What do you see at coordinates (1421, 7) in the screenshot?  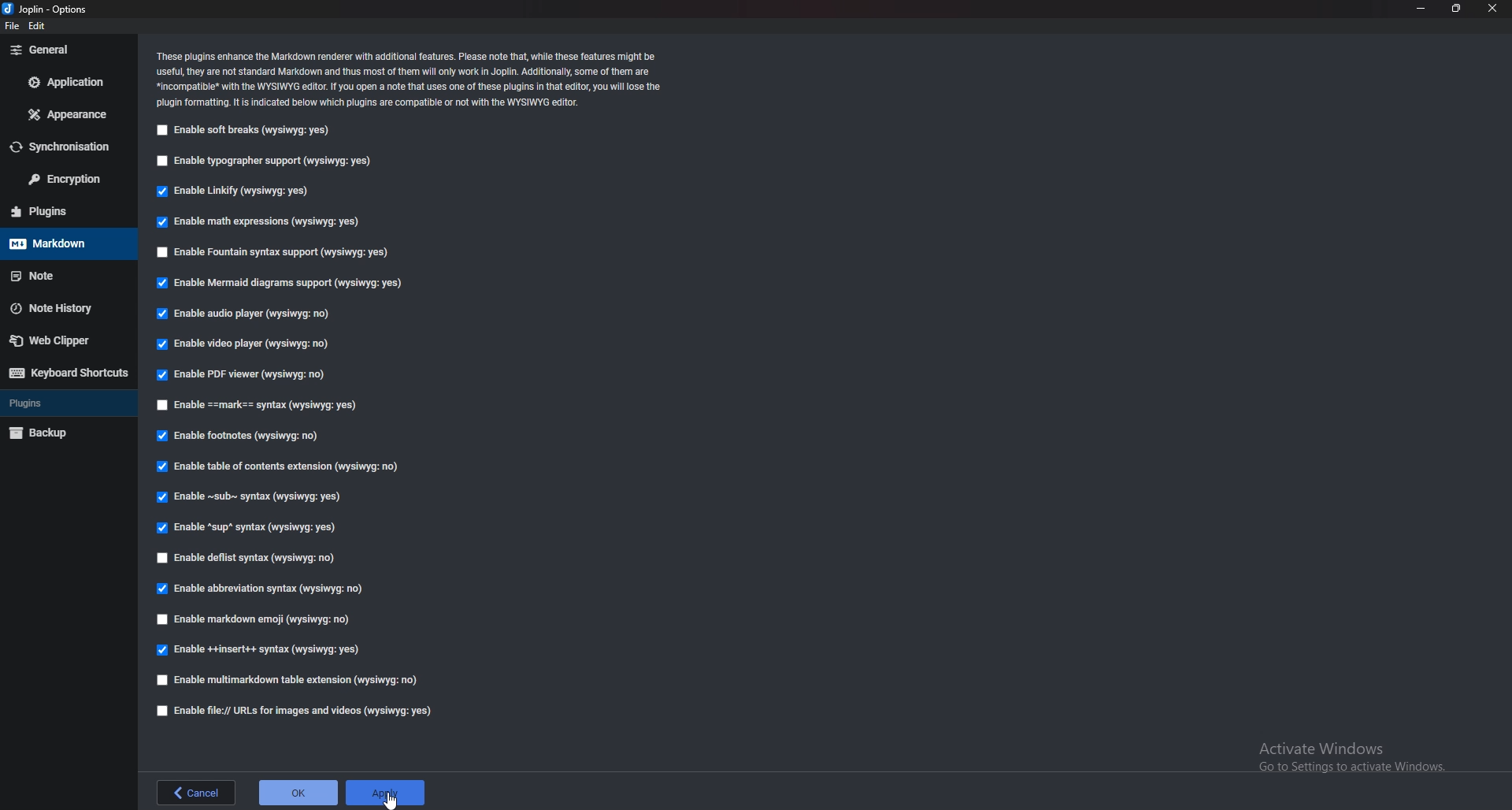 I see `minimize` at bounding box center [1421, 7].